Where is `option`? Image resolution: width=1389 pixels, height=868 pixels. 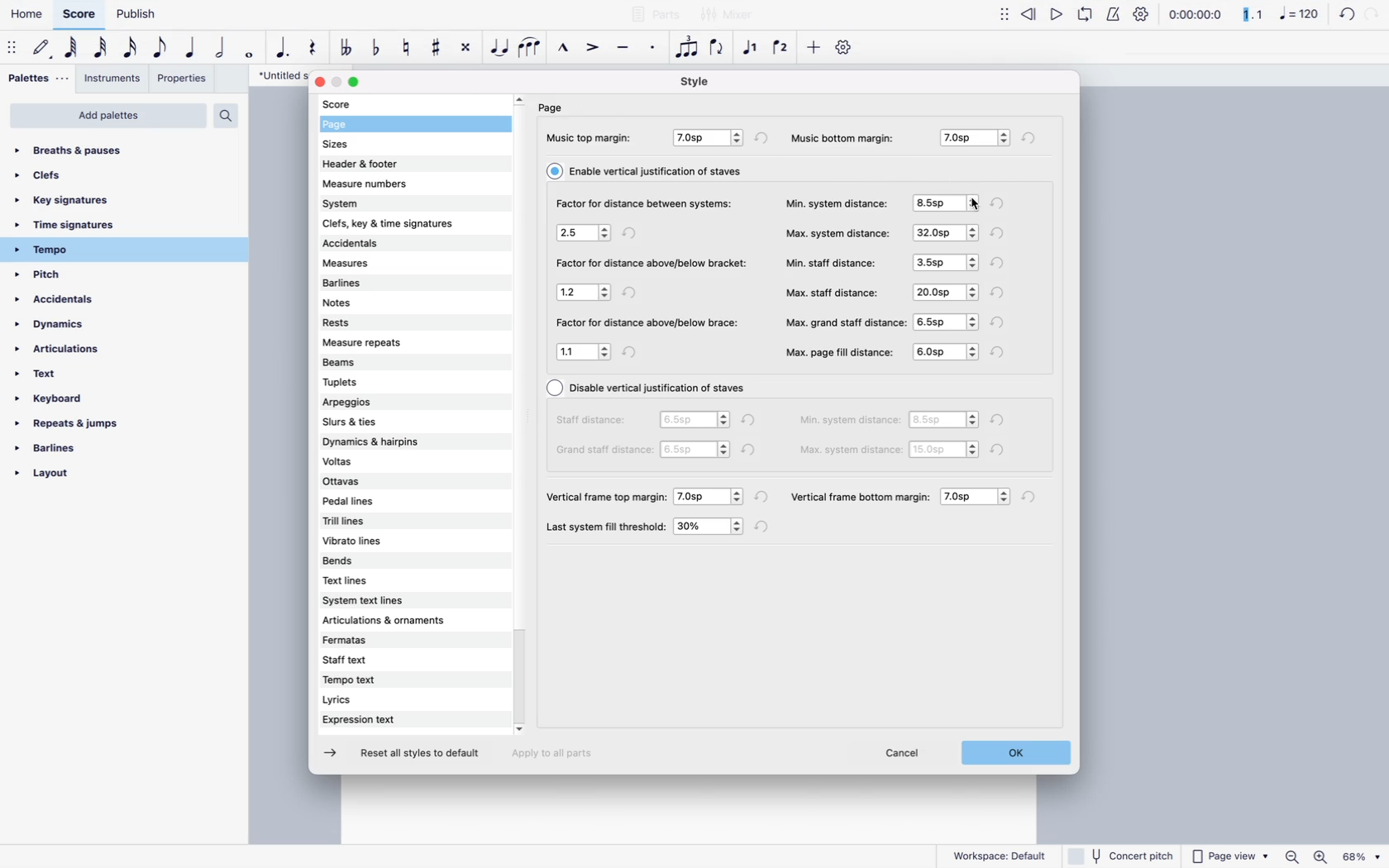
option is located at coordinates (978, 497).